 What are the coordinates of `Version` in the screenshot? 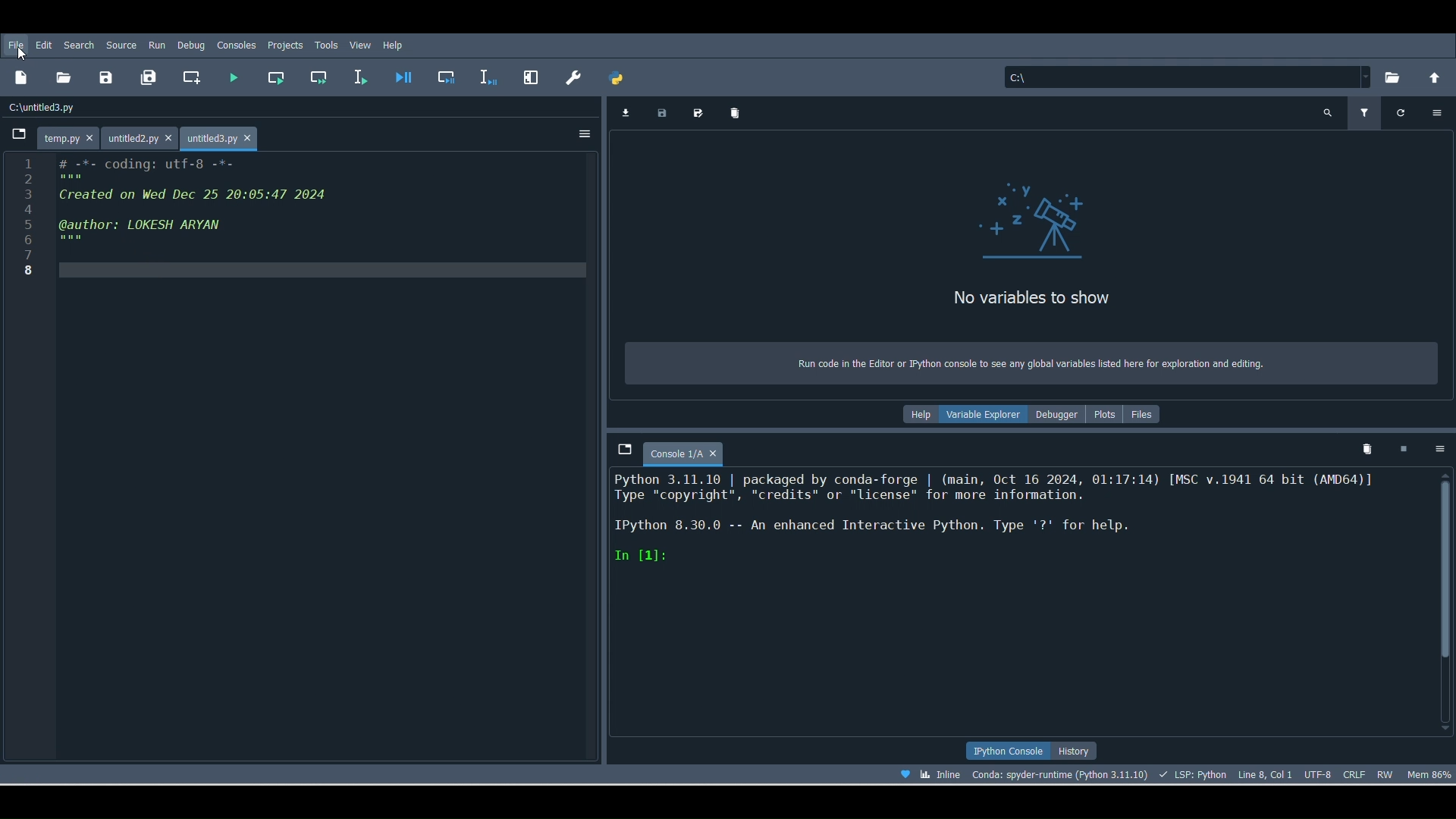 It's located at (1059, 773).